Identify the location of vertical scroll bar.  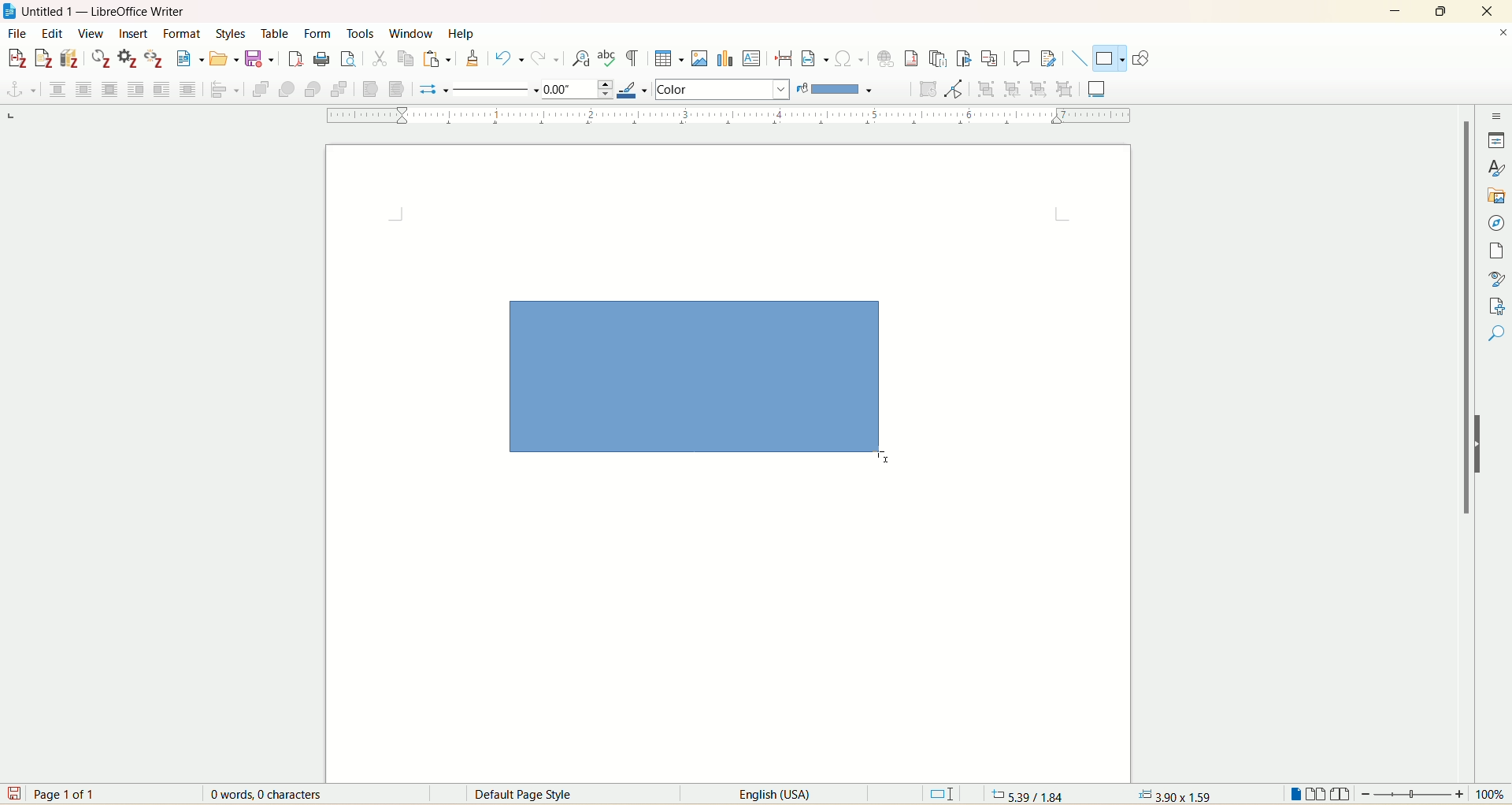
(1463, 432).